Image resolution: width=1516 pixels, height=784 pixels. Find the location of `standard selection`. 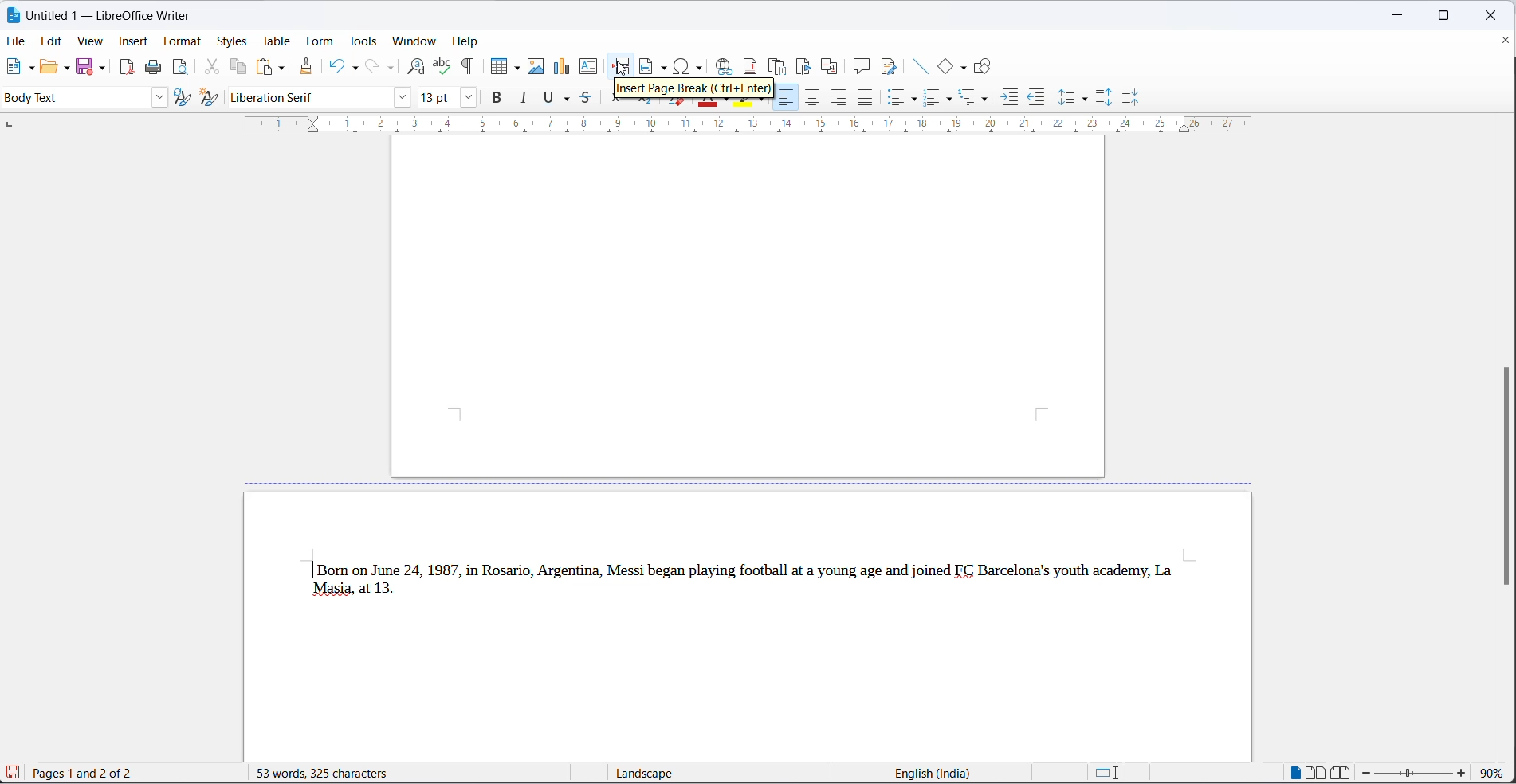

standard selection is located at coordinates (1100, 774).